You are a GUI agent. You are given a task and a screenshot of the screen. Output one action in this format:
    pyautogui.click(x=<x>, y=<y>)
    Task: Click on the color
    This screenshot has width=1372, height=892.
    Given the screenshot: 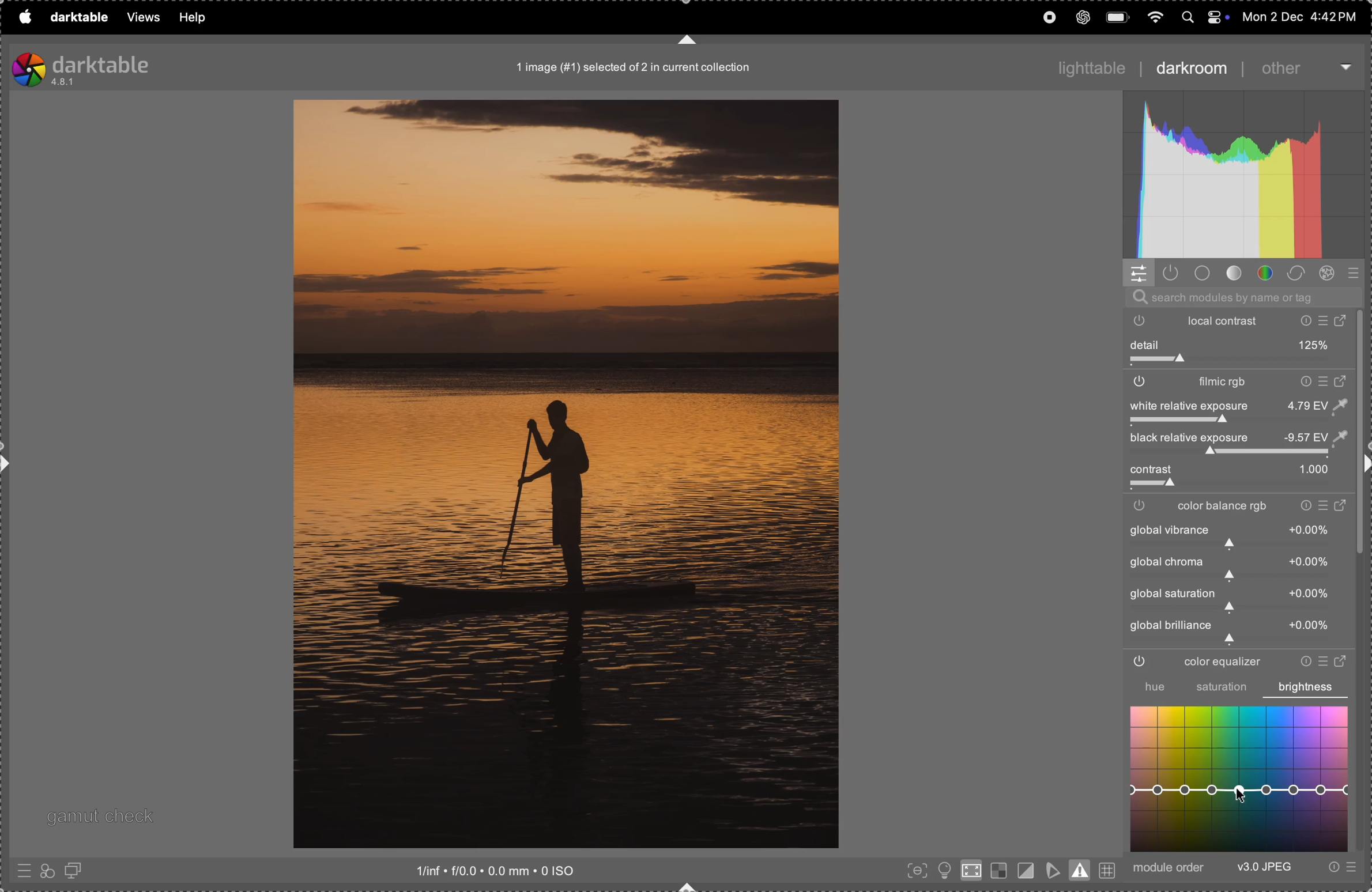 What is the action you would take?
    pyautogui.click(x=1266, y=274)
    